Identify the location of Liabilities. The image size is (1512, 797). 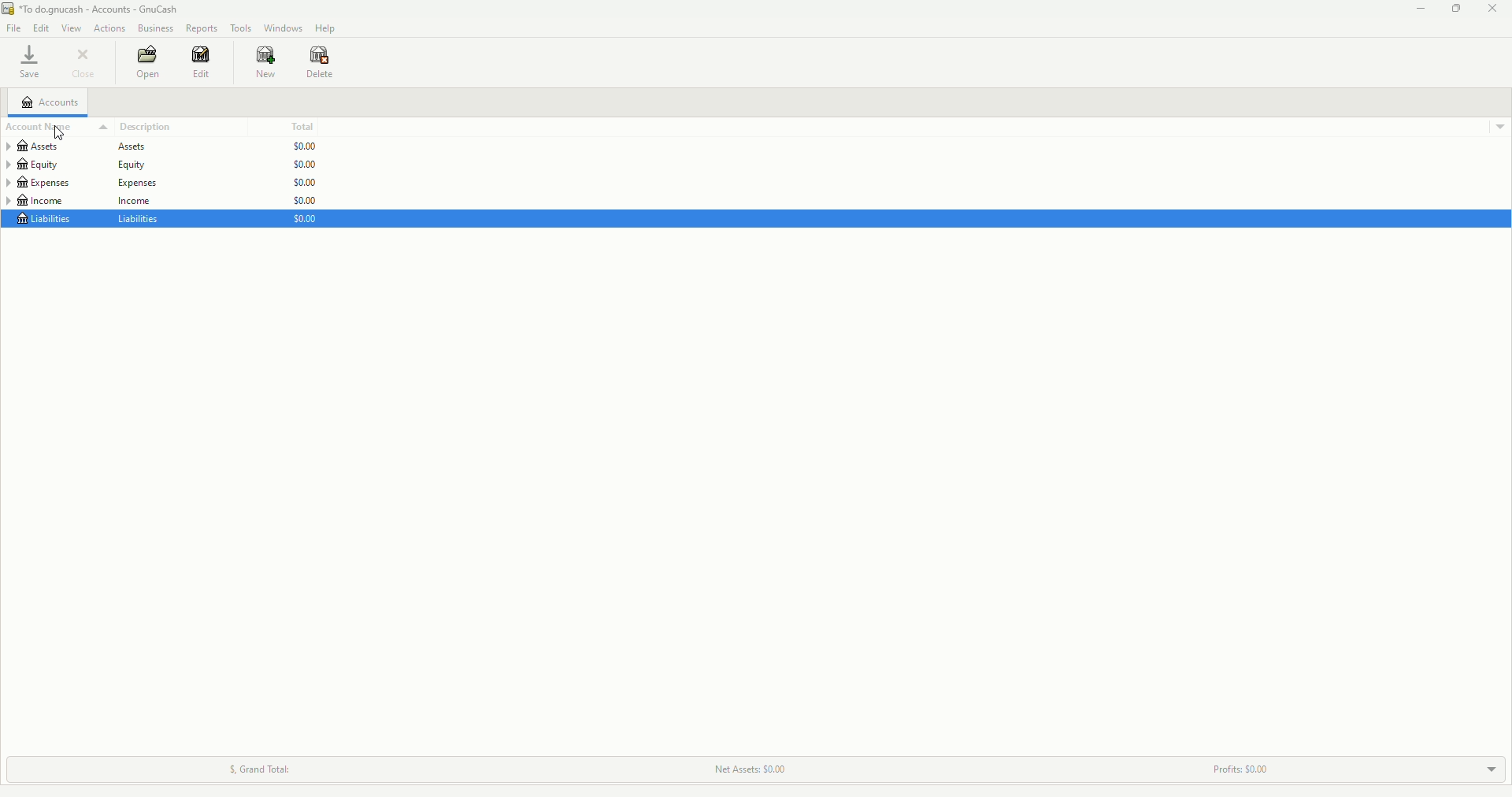
(89, 220).